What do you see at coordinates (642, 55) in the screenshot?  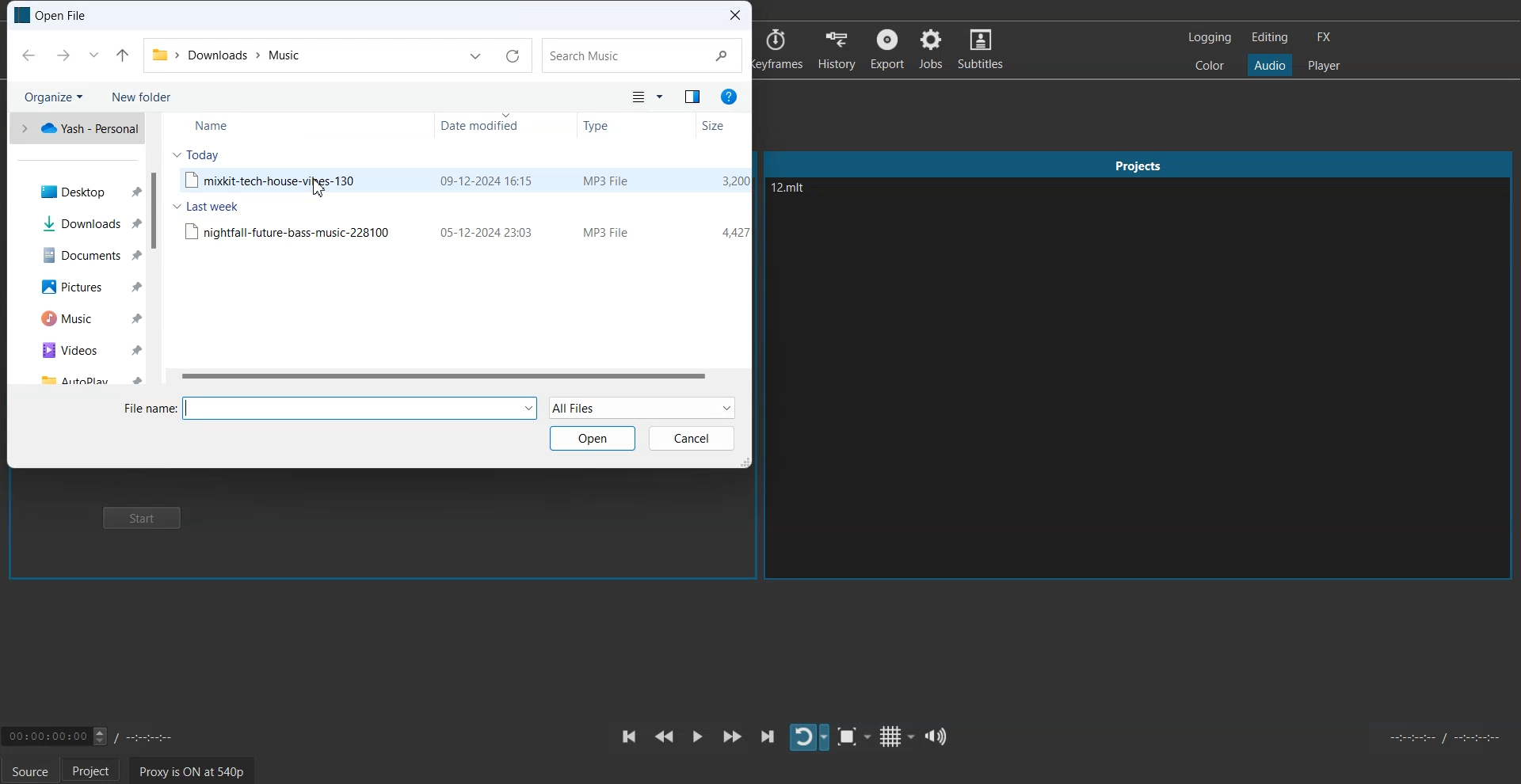 I see `Search Bar` at bounding box center [642, 55].